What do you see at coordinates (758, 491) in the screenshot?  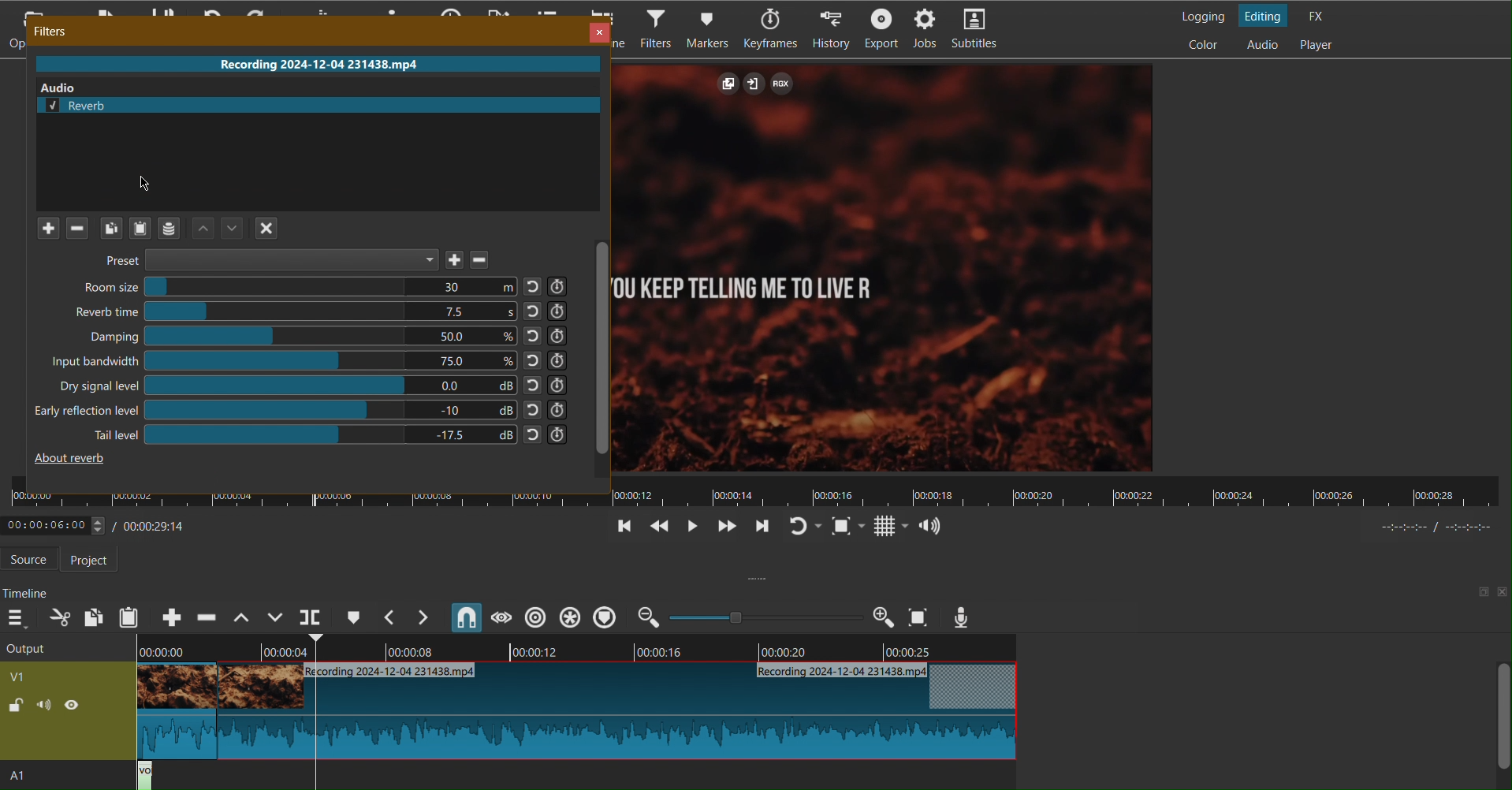 I see `Timeline` at bounding box center [758, 491].